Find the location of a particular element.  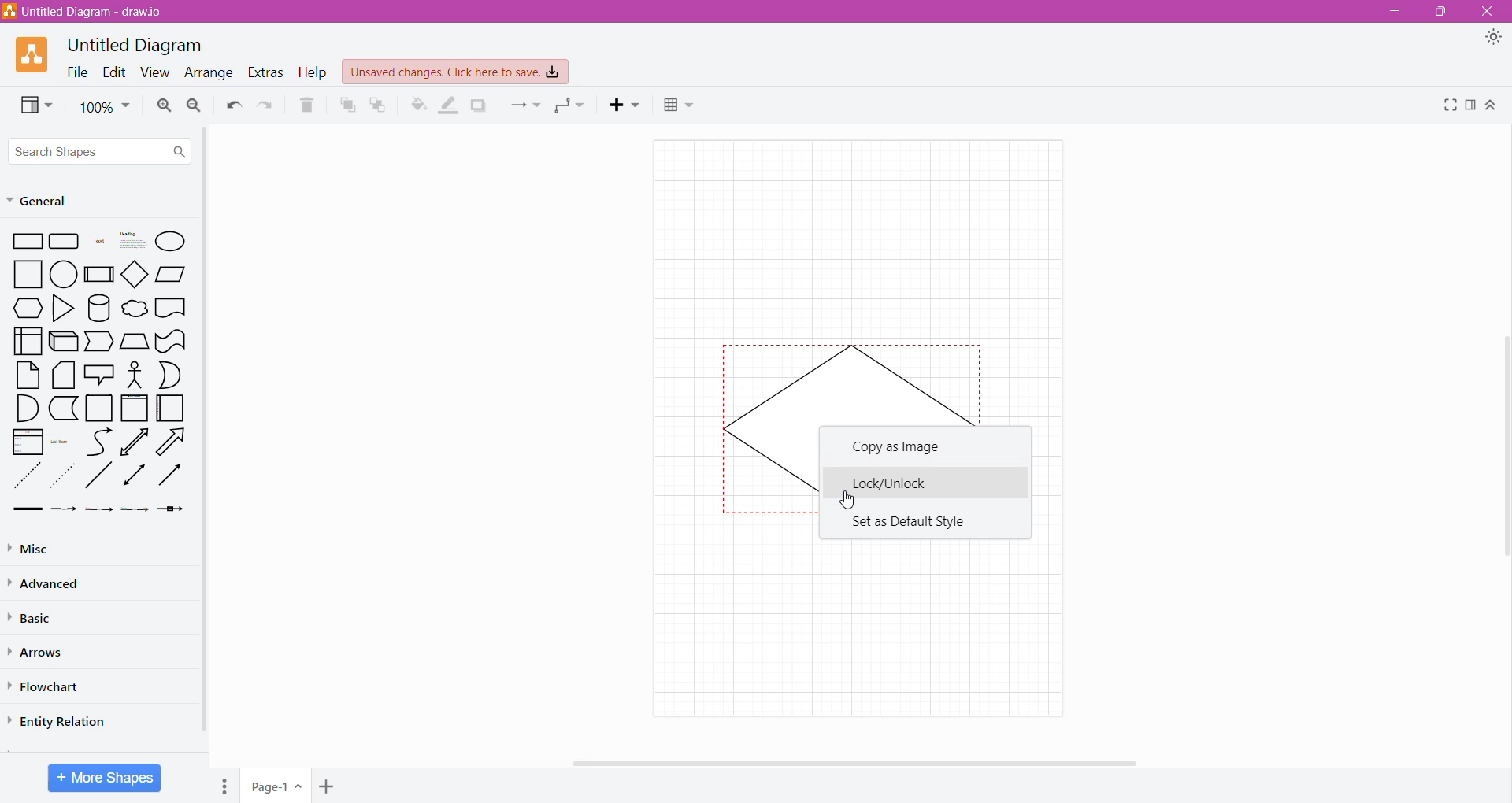

Insert is located at coordinates (628, 105).